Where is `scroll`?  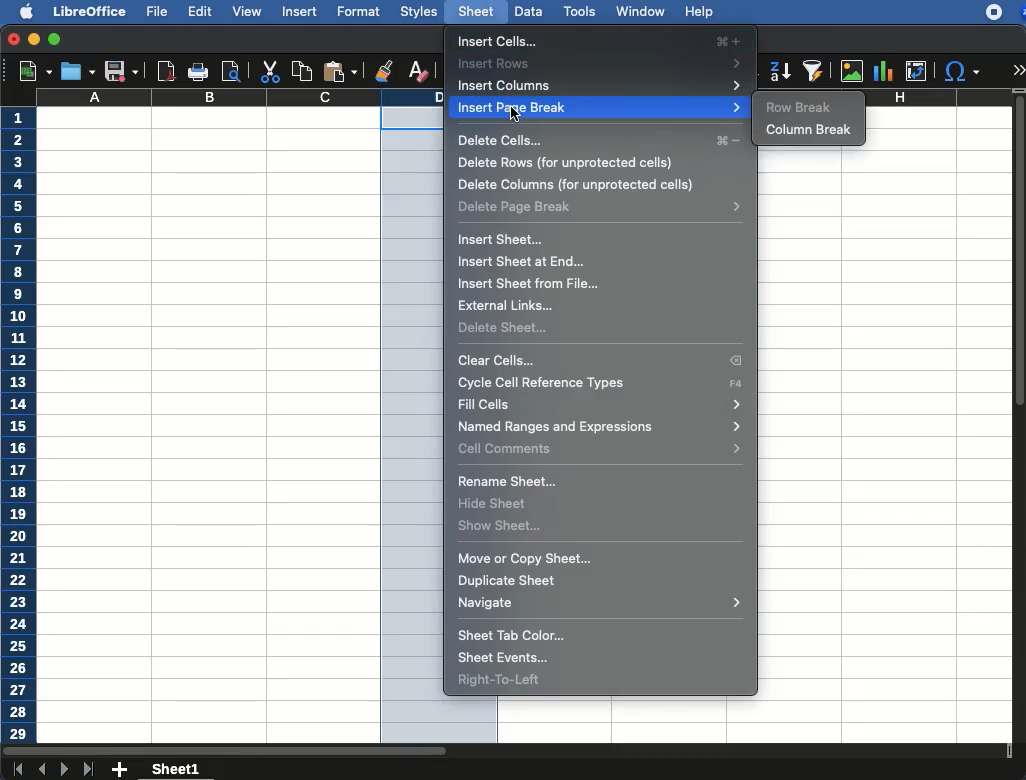
scroll is located at coordinates (1020, 424).